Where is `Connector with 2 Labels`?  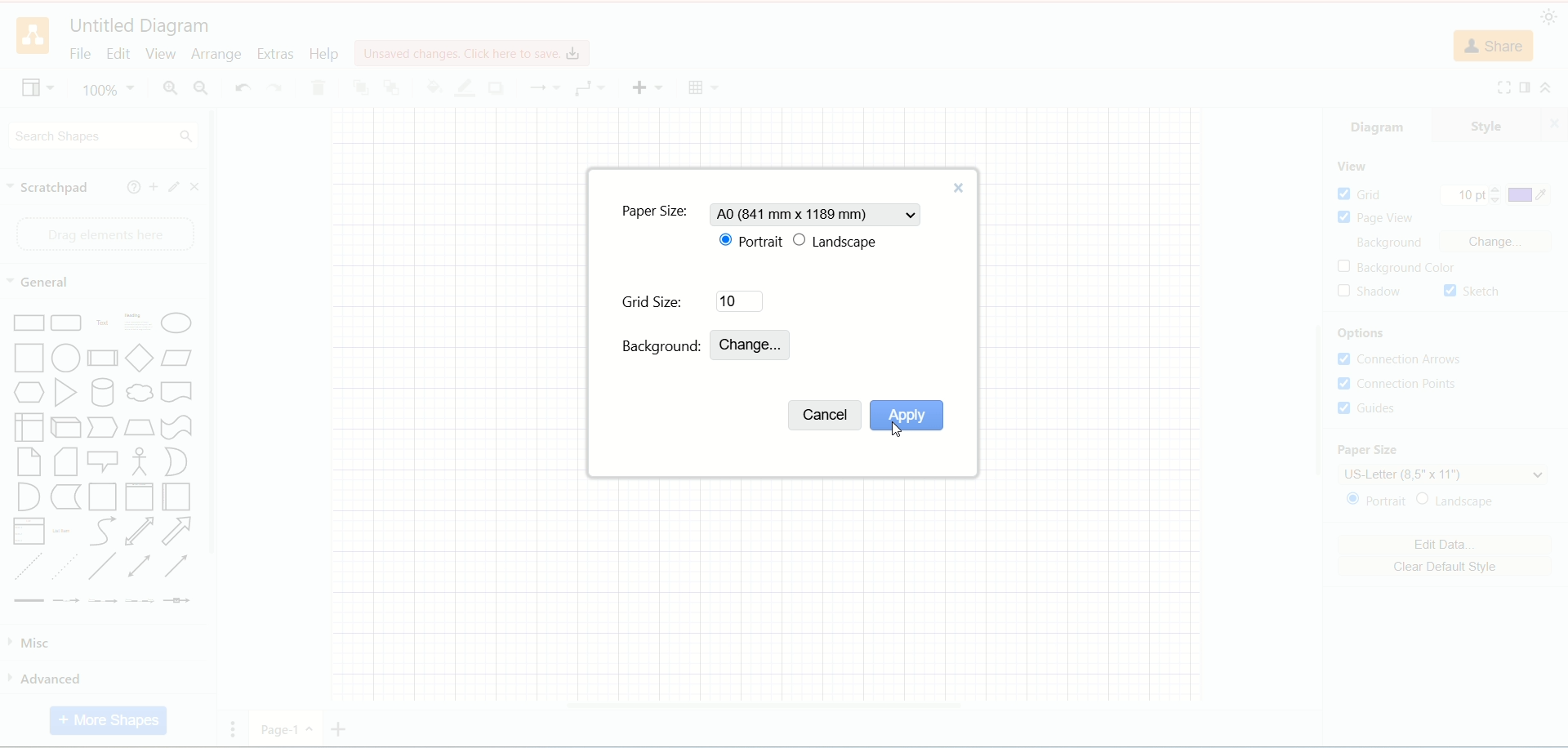
Connector with 2 Labels is located at coordinates (104, 602).